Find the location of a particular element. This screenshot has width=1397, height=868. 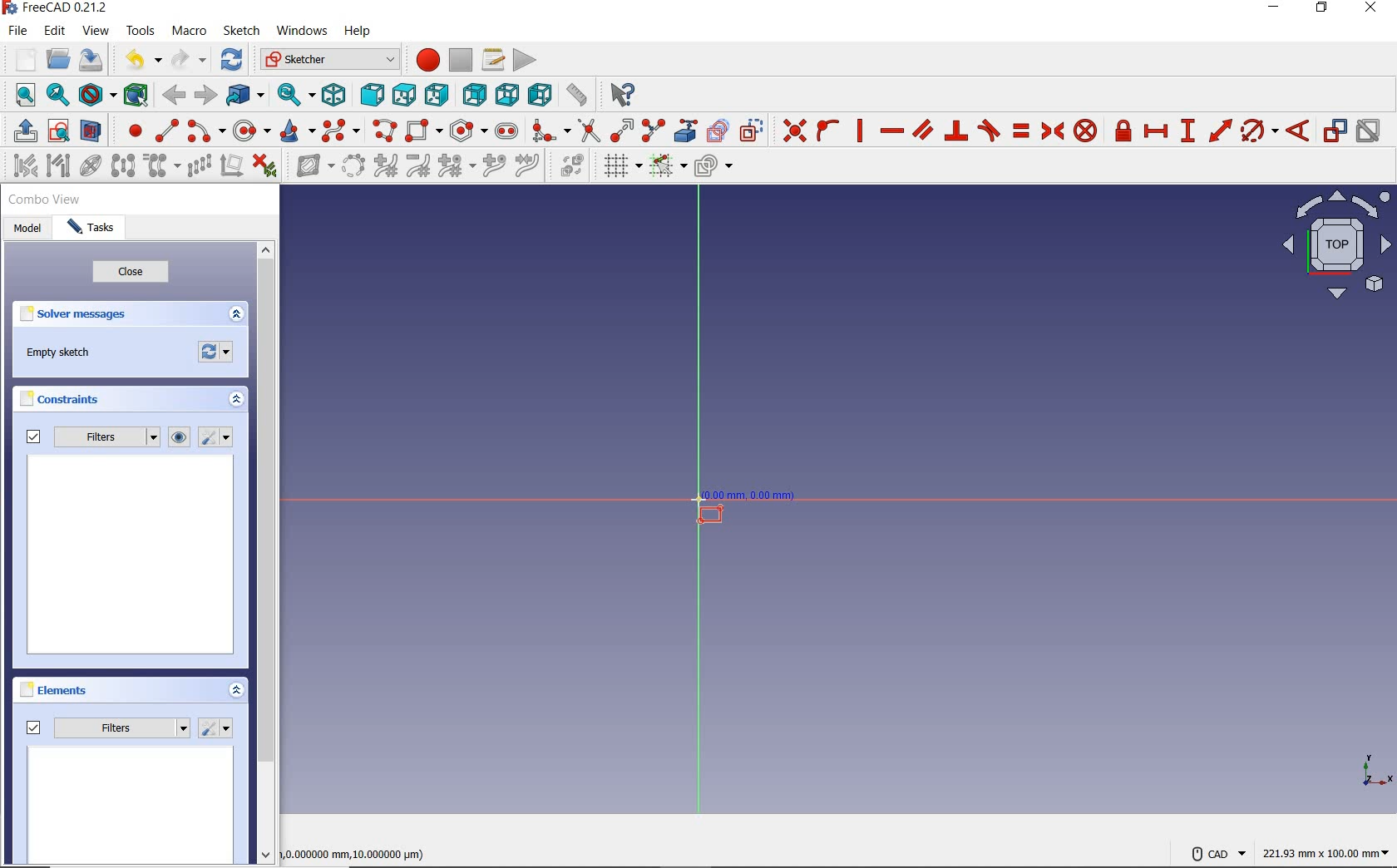

constraints is located at coordinates (64, 399).